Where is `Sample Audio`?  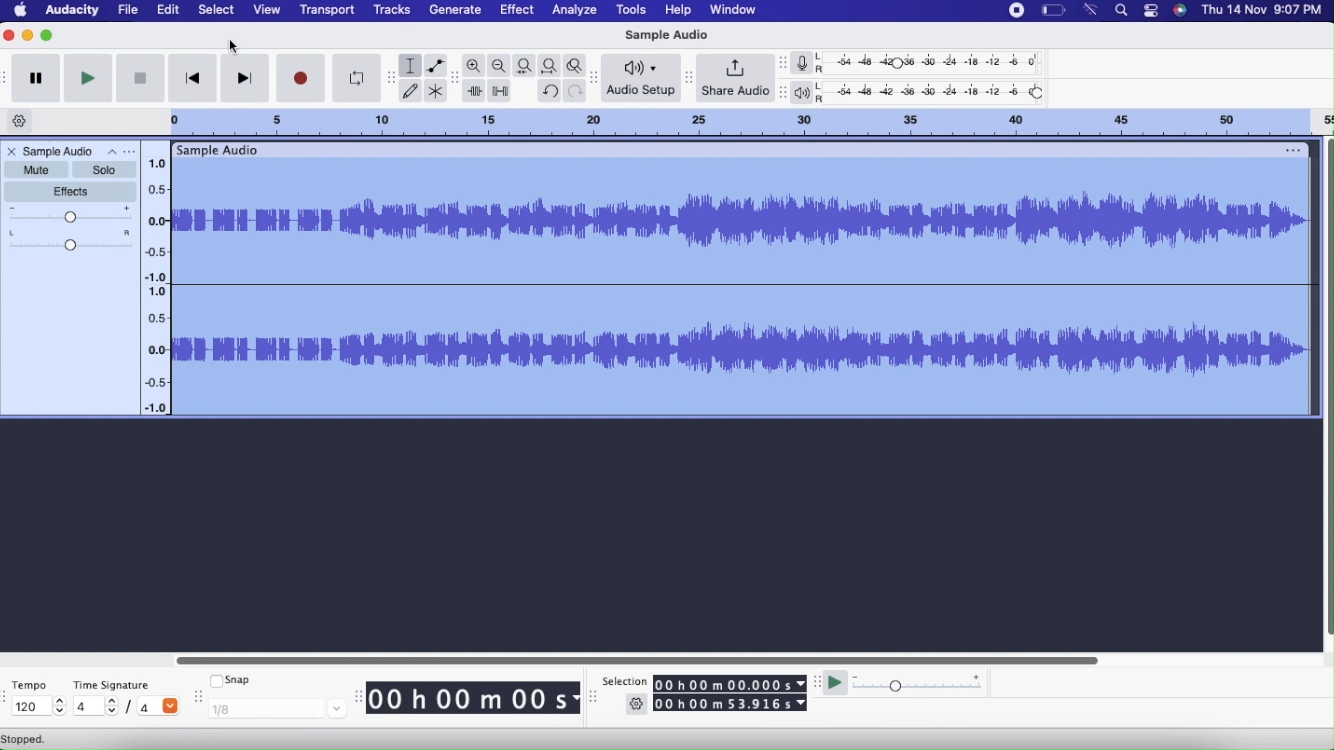 Sample Audio is located at coordinates (665, 38).